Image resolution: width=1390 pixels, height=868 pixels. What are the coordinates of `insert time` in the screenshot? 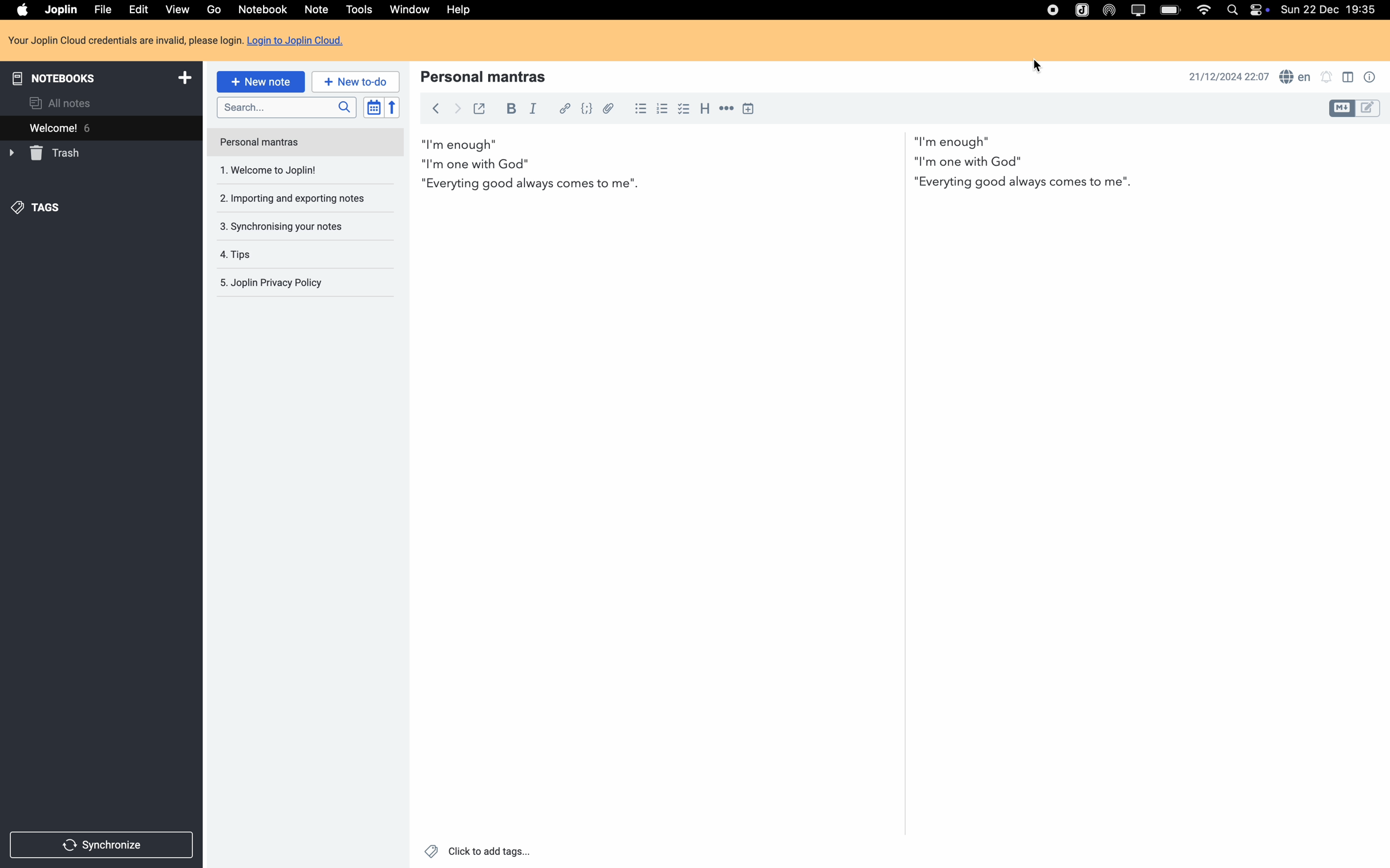 It's located at (750, 108).